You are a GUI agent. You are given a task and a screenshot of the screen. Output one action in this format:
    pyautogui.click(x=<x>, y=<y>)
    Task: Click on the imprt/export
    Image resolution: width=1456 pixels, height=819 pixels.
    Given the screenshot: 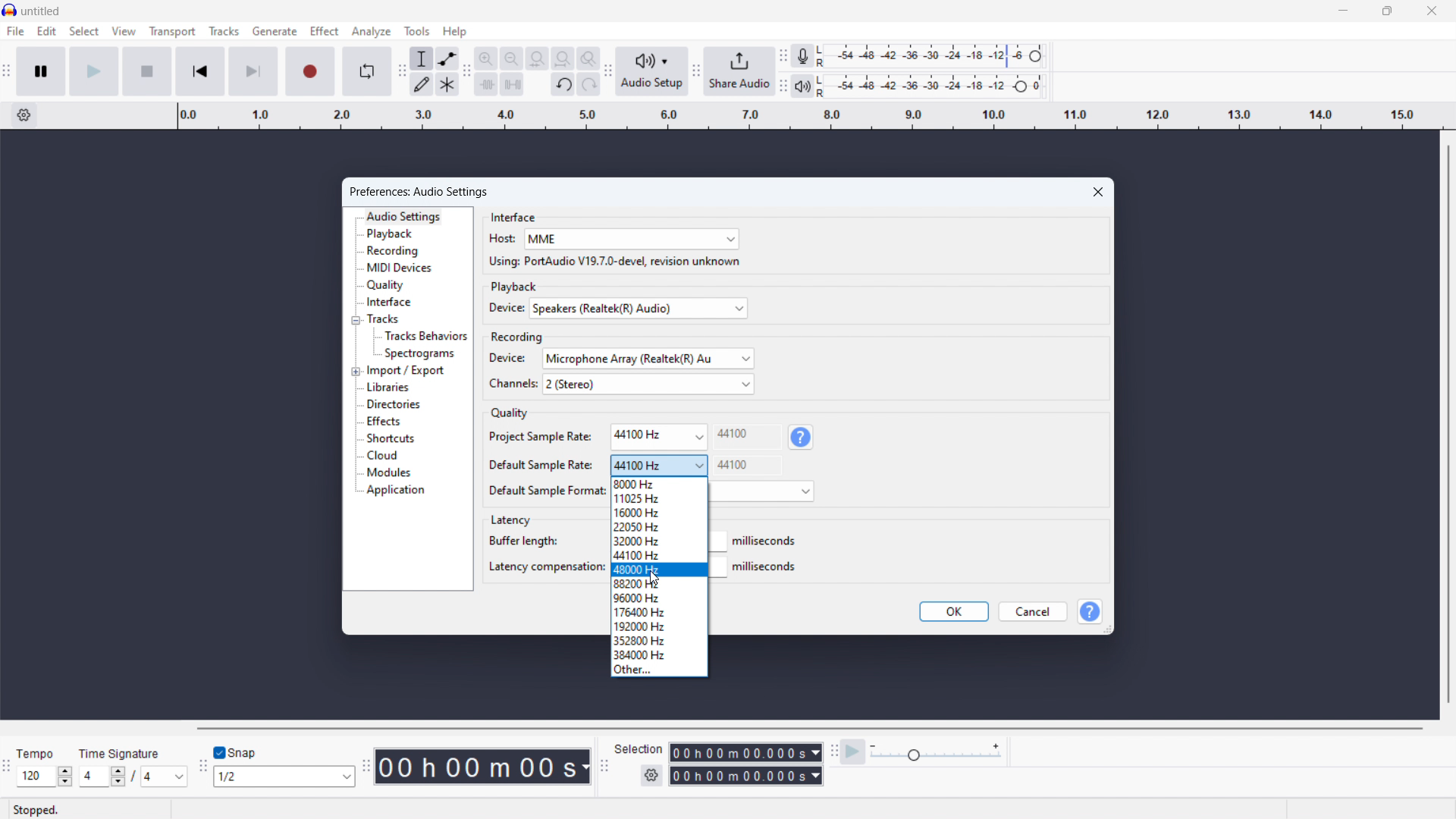 What is the action you would take?
    pyautogui.click(x=406, y=371)
    